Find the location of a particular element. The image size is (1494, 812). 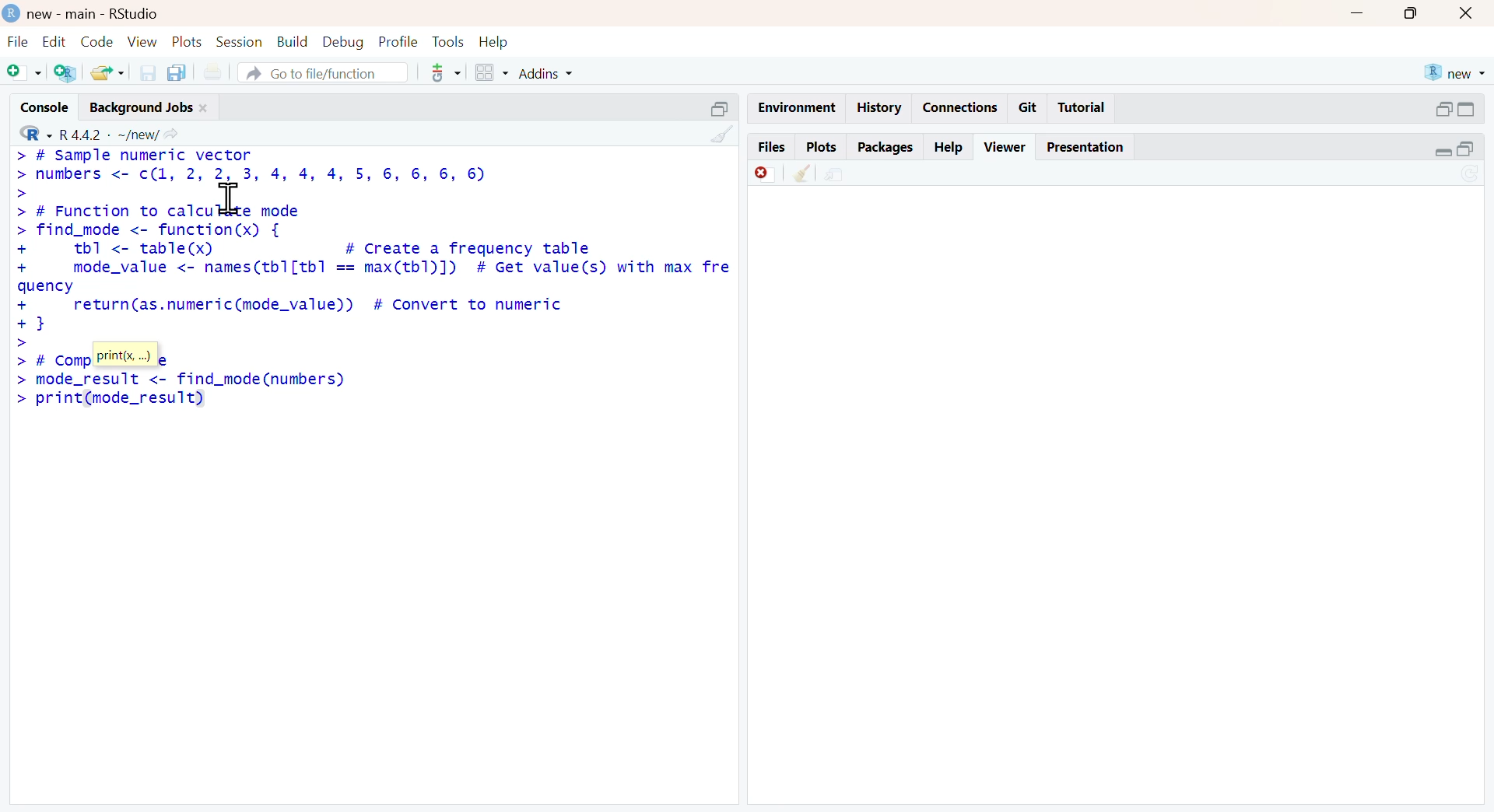

save is located at coordinates (149, 72).